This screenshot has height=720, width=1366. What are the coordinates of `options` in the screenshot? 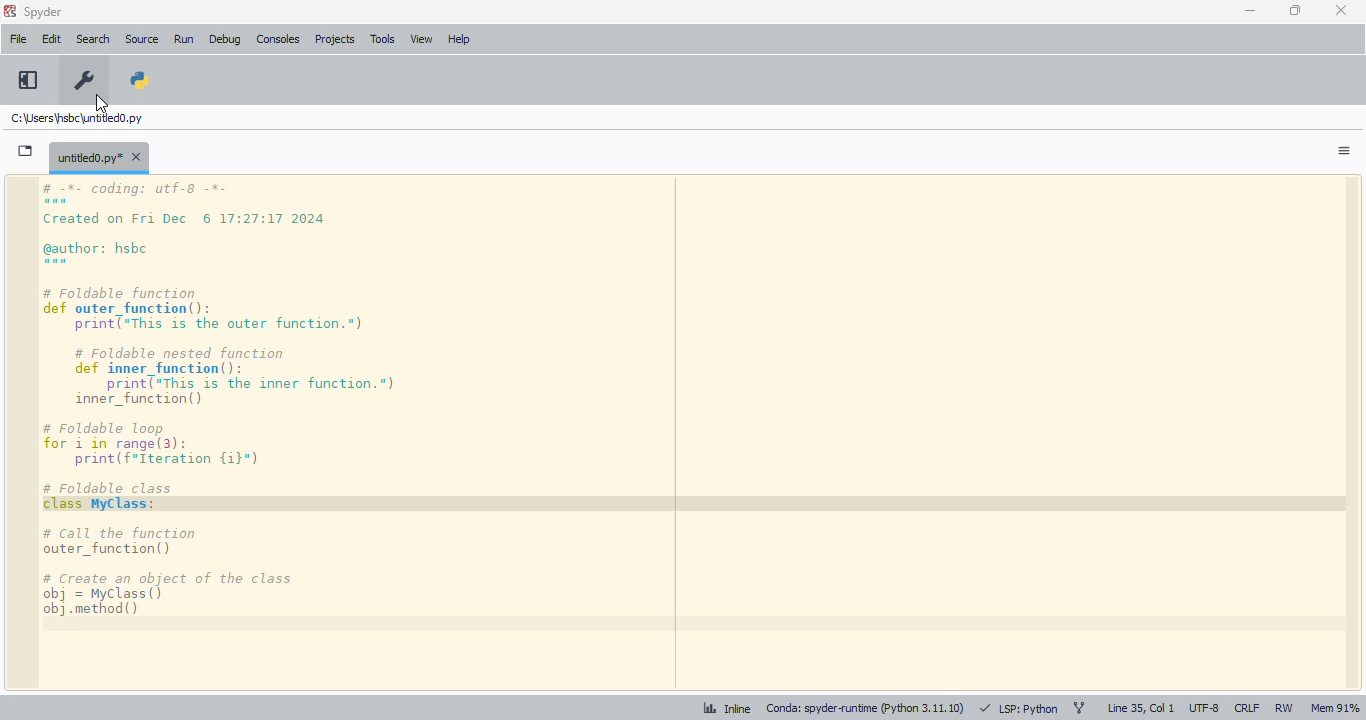 It's located at (1344, 151).